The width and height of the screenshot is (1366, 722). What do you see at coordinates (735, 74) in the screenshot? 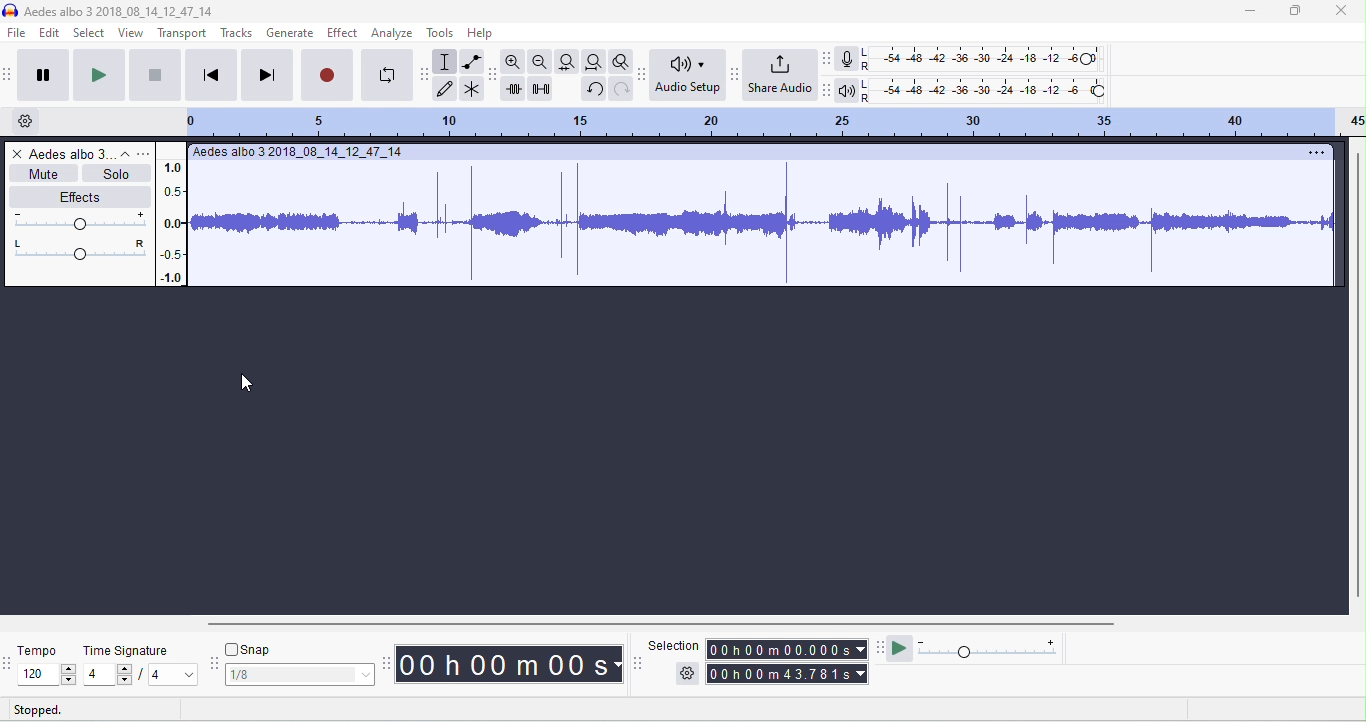
I see `share audio toolbar` at bounding box center [735, 74].